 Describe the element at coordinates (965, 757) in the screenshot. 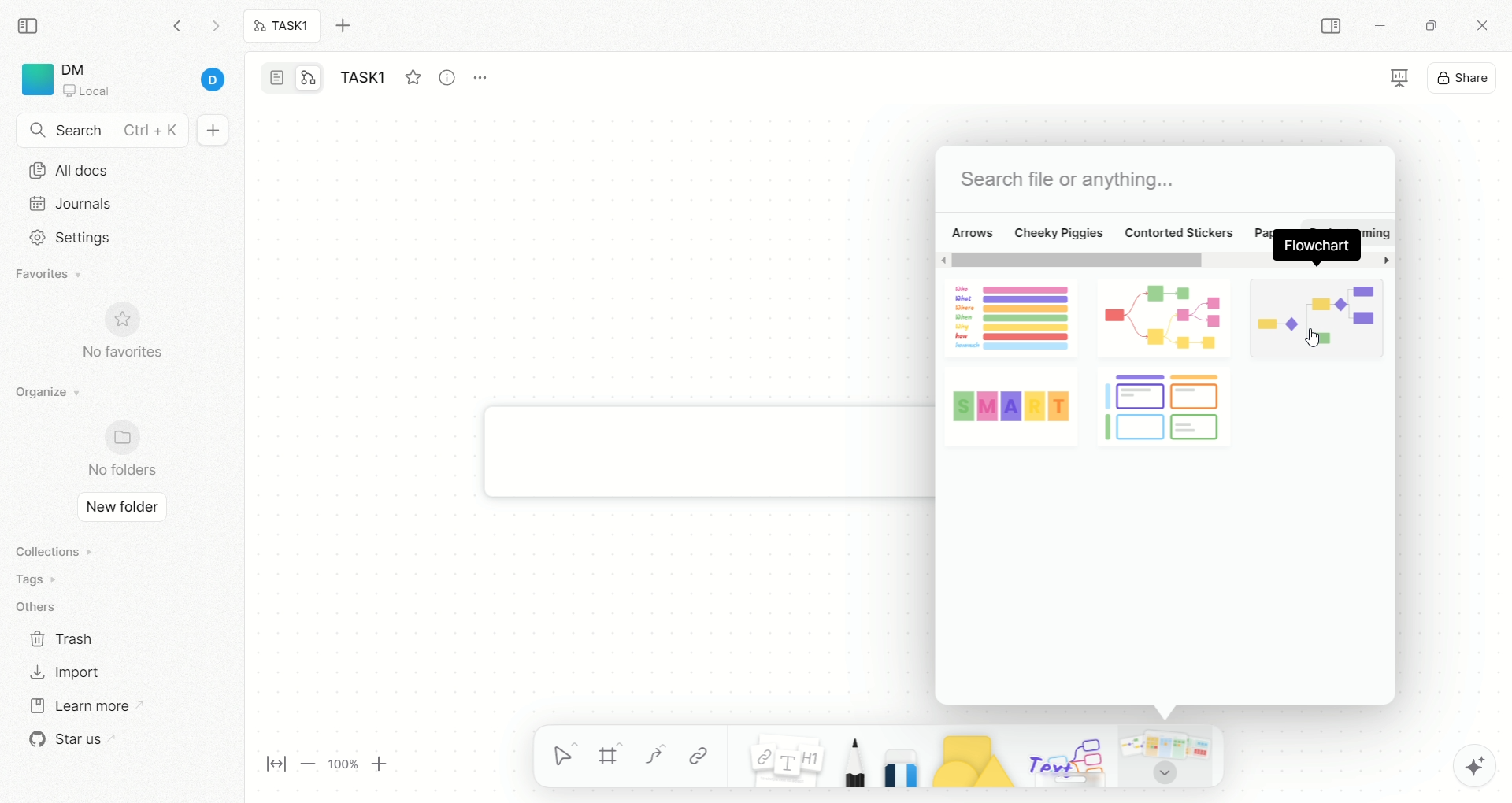

I see `shapes` at that location.